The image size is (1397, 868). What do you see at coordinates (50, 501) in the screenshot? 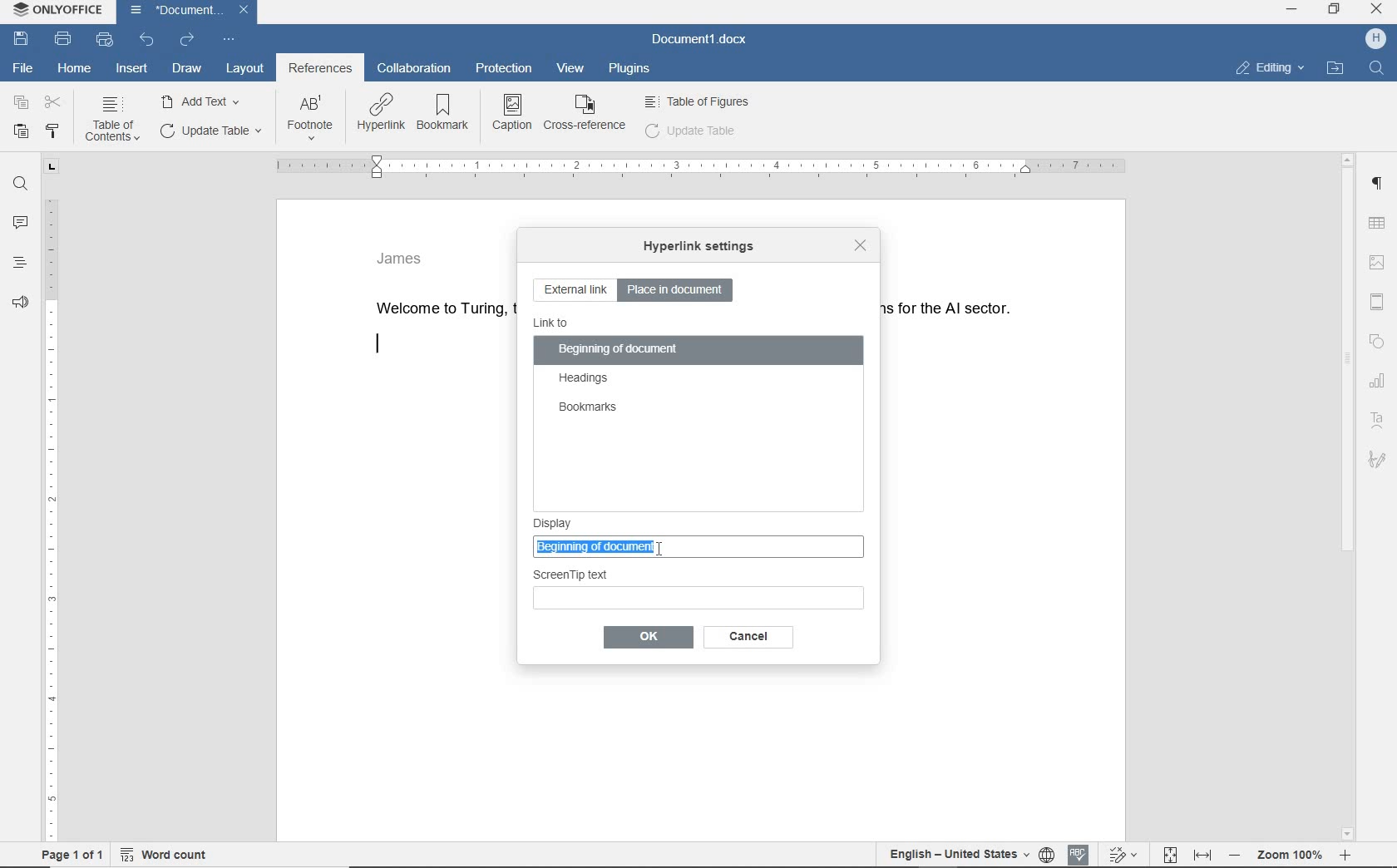
I see `ruler` at bounding box center [50, 501].